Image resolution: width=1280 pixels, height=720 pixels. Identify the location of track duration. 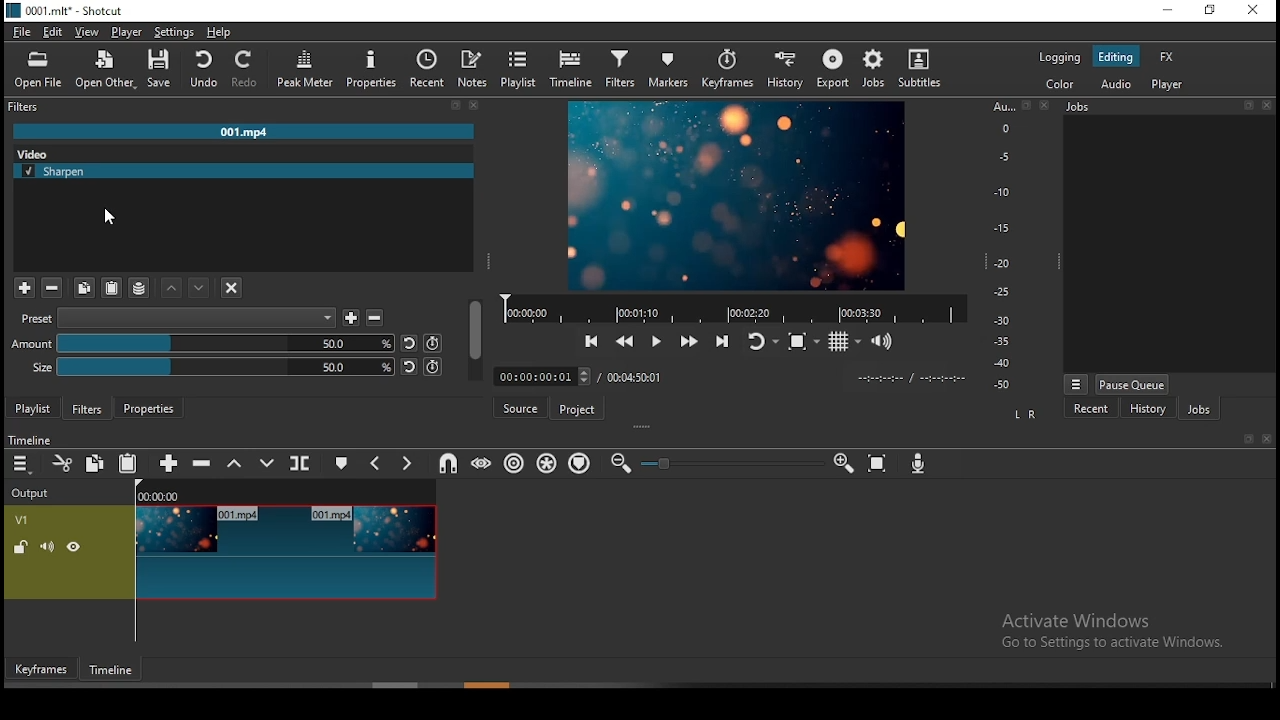
(635, 377).